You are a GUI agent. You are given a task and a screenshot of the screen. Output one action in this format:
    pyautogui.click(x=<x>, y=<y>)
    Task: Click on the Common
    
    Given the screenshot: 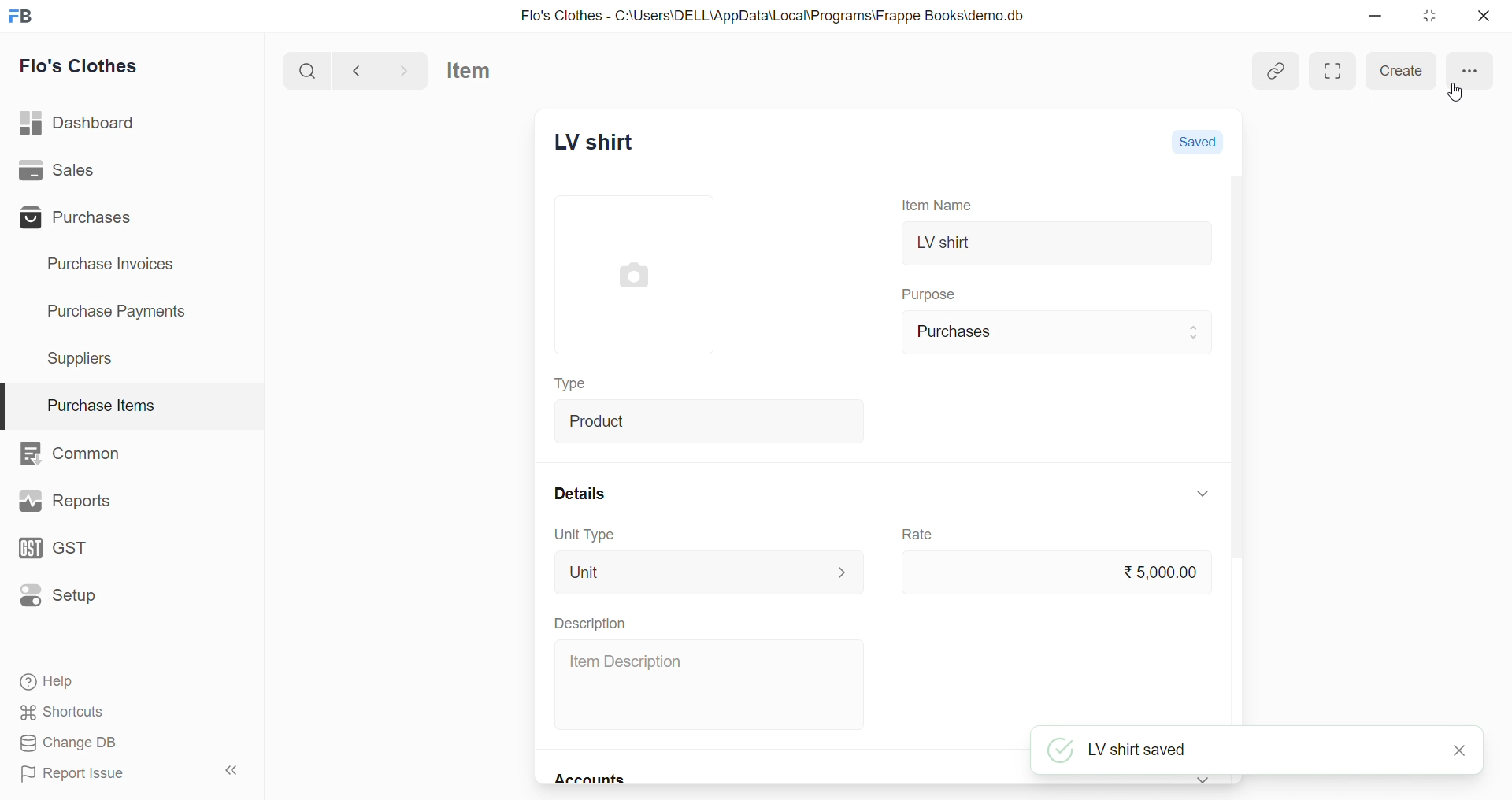 What is the action you would take?
    pyautogui.click(x=79, y=452)
    